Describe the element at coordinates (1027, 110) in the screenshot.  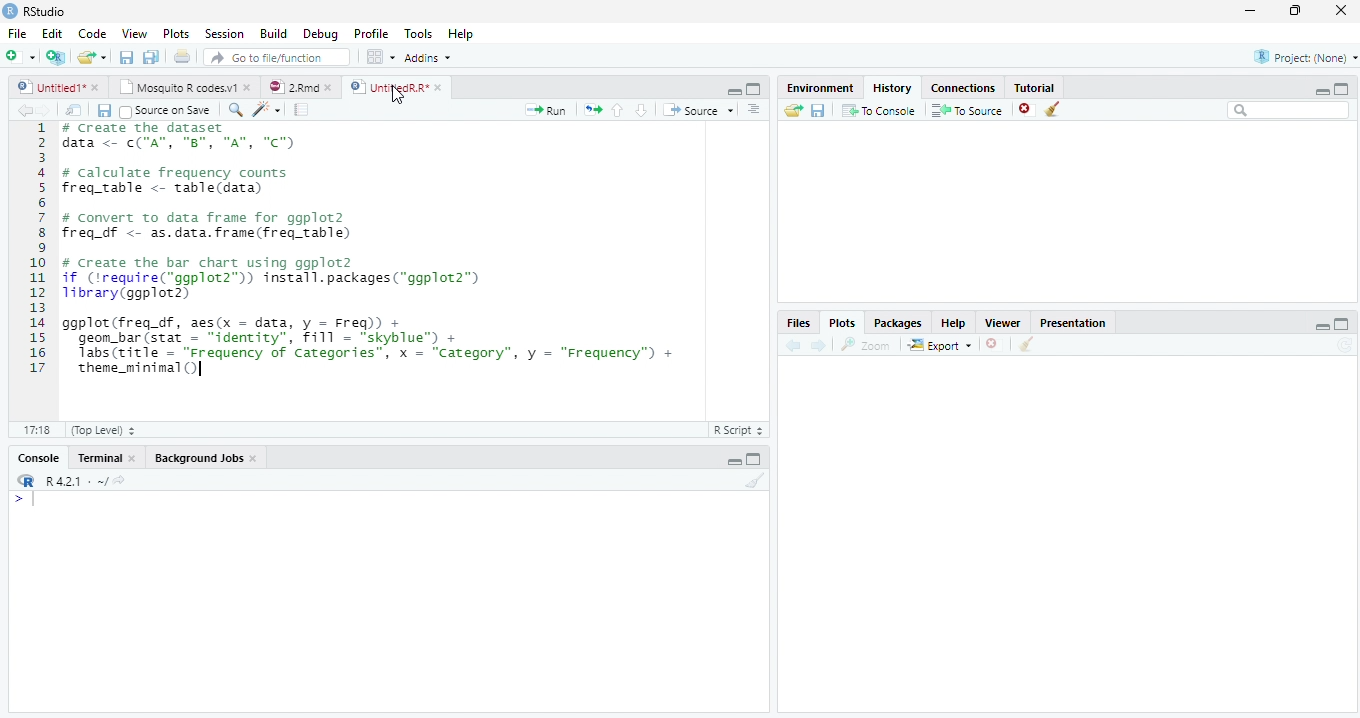
I see `Delete ` at that location.